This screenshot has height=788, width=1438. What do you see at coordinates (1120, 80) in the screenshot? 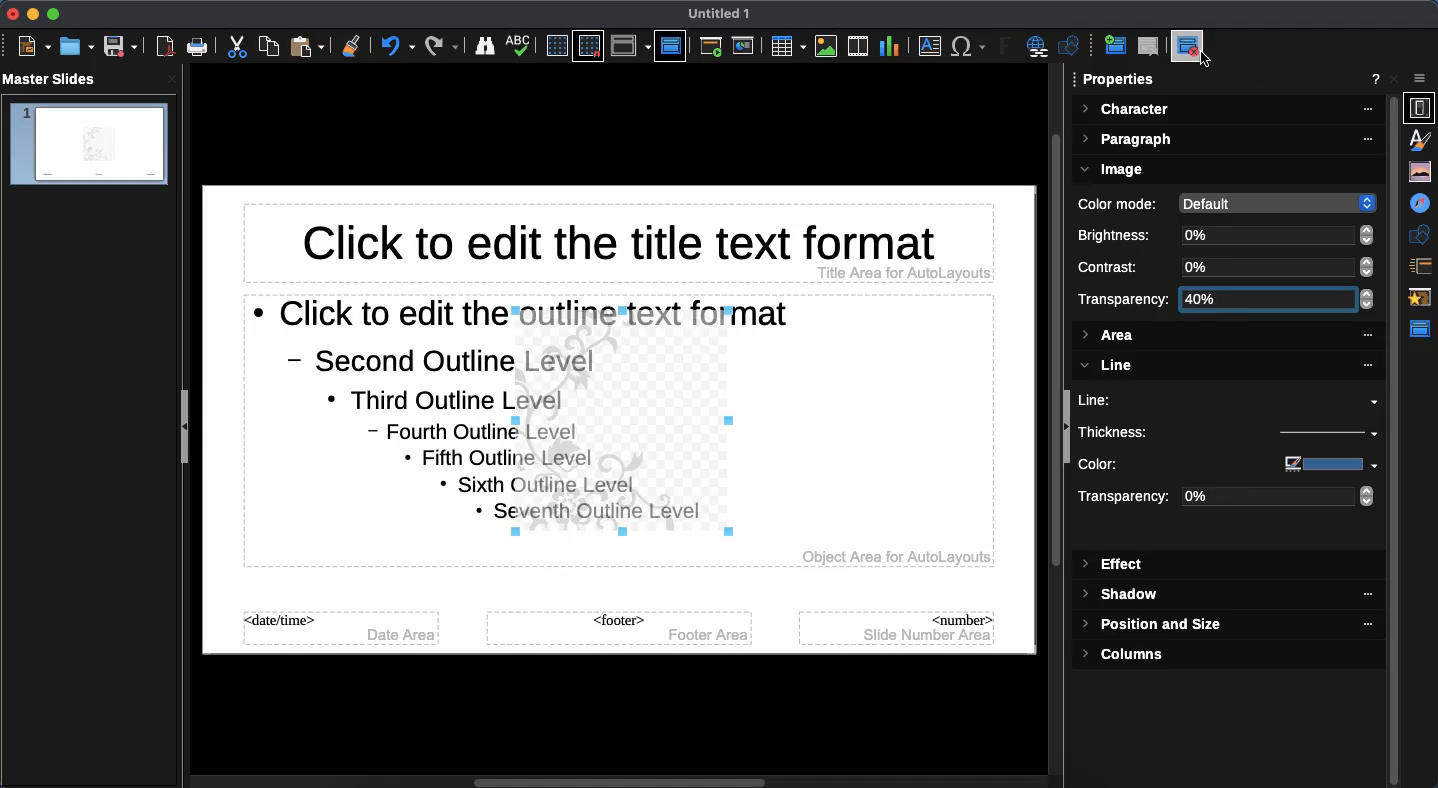
I see `Properties` at bounding box center [1120, 80].